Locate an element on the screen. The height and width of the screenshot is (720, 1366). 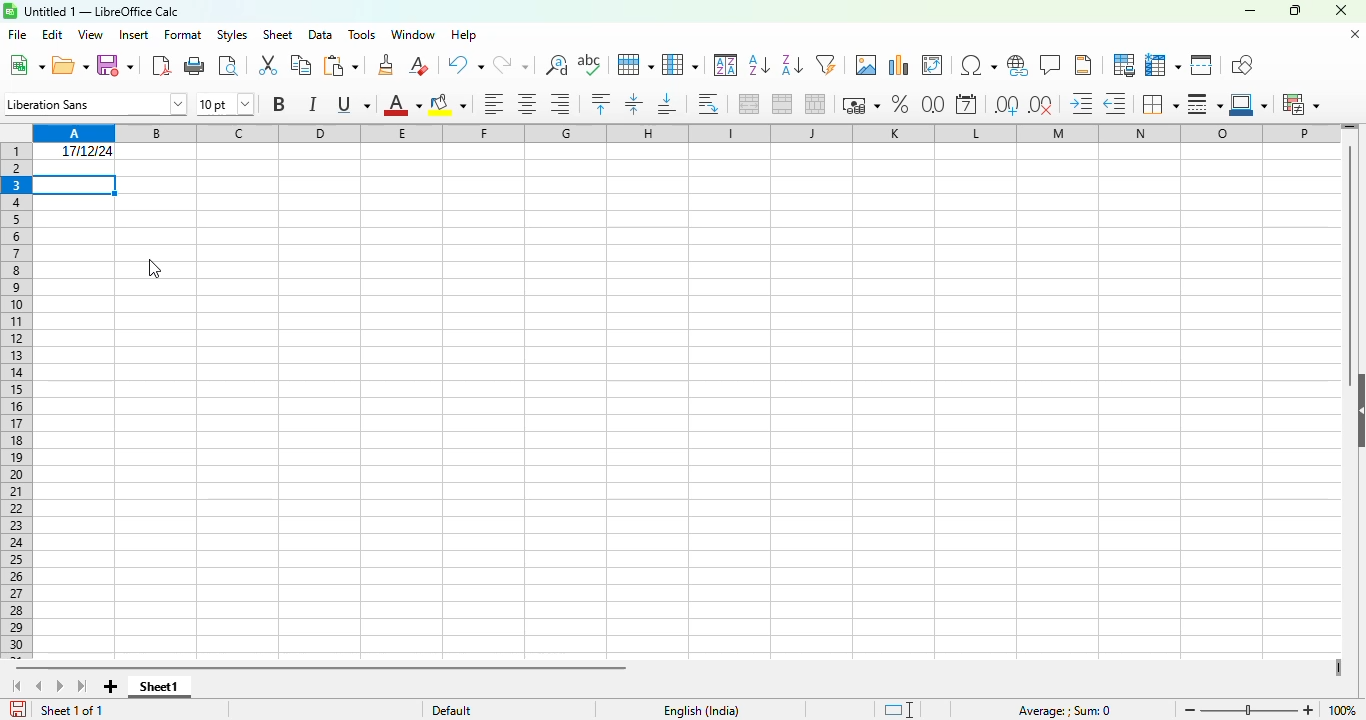
export directly as PDF is located at coordinates (161, 65).